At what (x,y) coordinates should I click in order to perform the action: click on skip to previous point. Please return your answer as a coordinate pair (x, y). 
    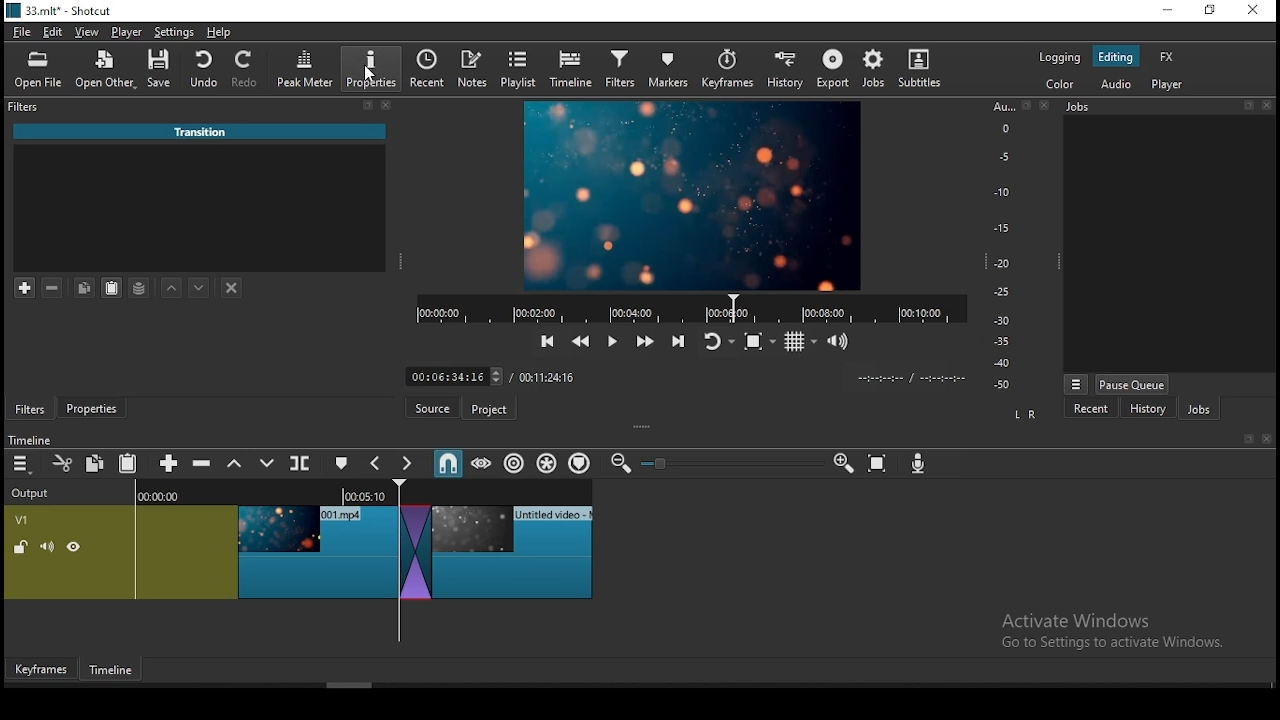
    Looking at the image, I should click on (545, 342).